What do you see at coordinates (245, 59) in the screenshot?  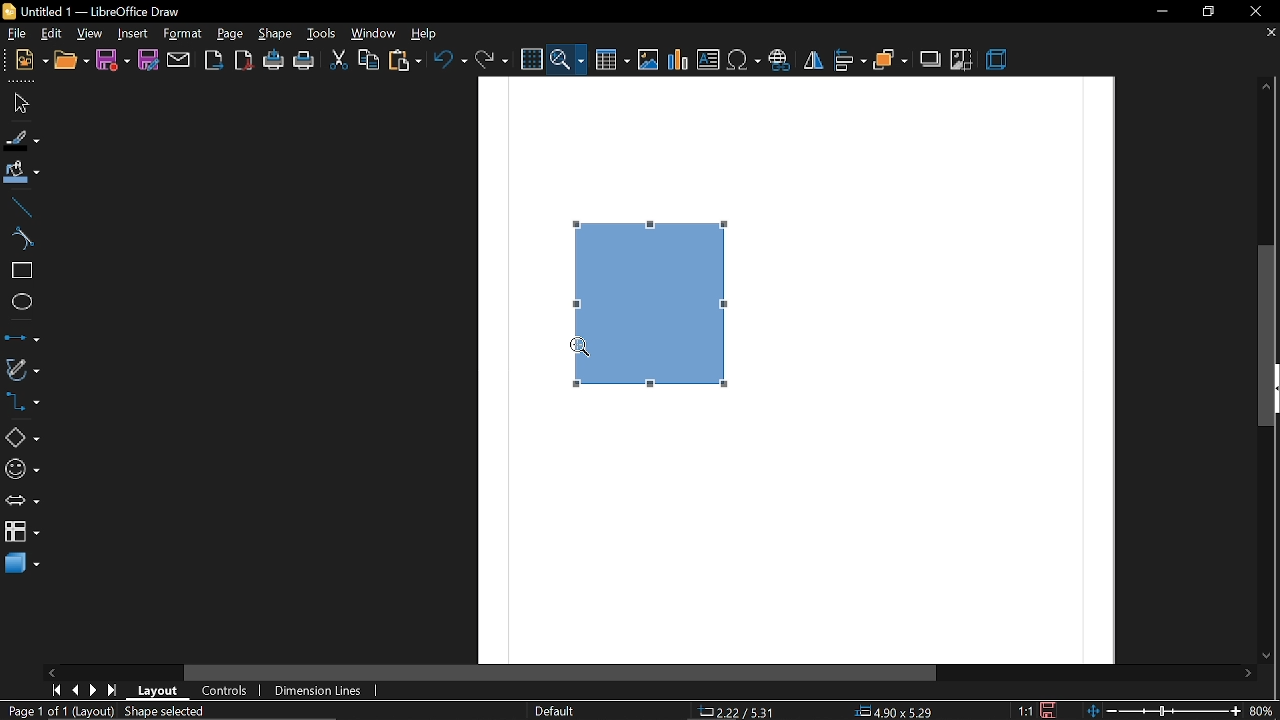 I see `export pdf` at bounding box center [245, 59].